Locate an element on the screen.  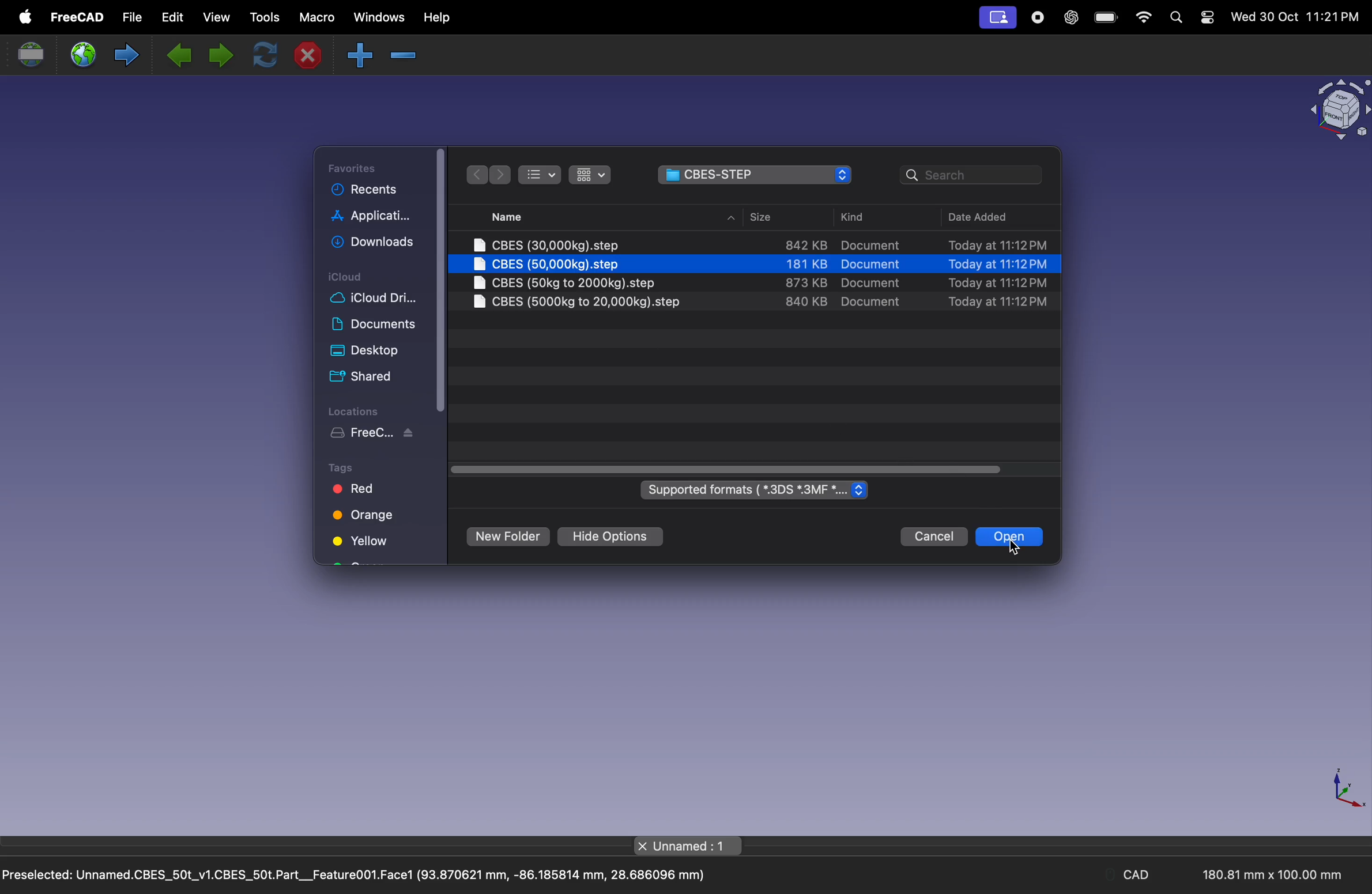
open is located at coordinates (1012, 535).